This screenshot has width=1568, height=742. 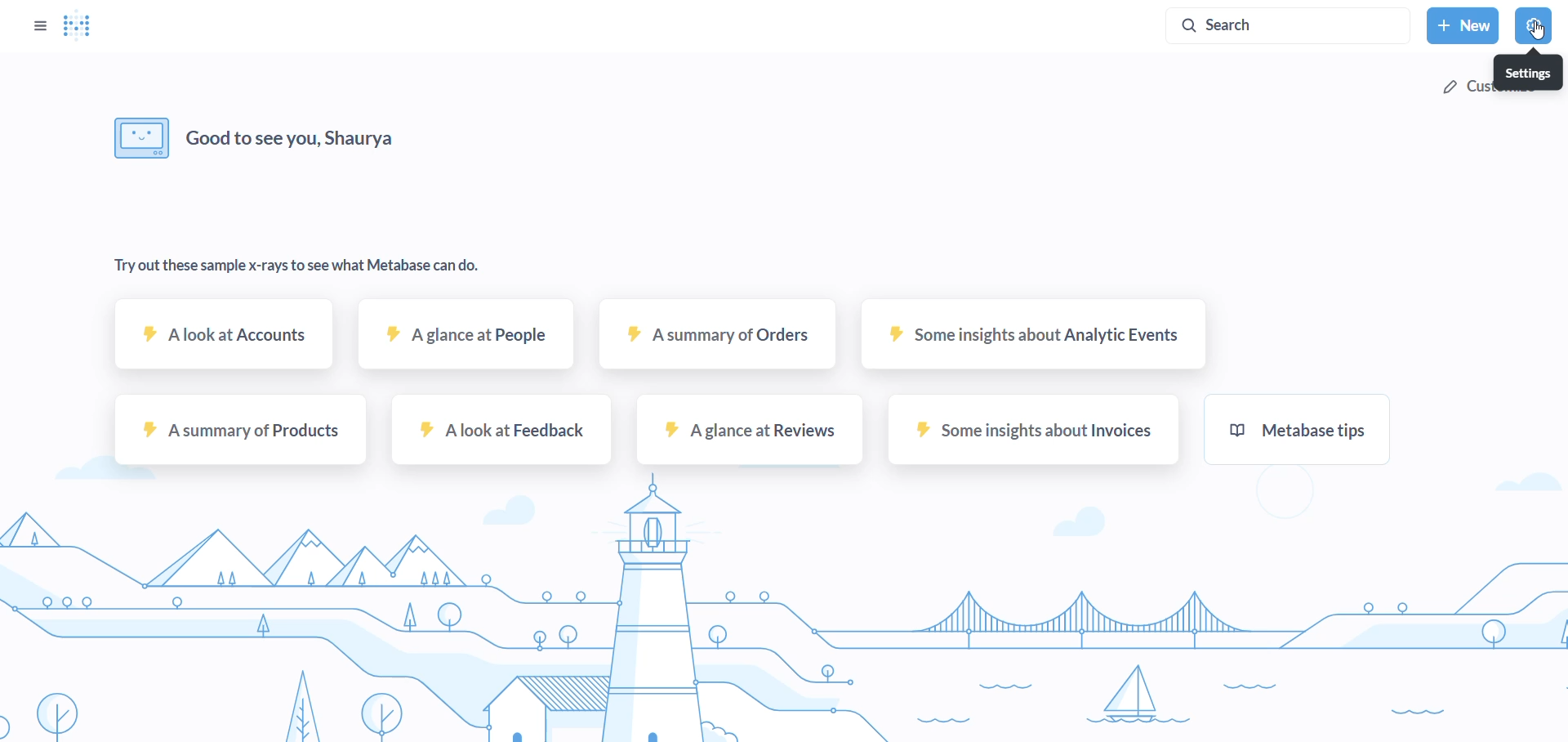 What do you see at coordinates (38, 24) in the screenshot?
I see `show sidebar` at bounding box center [38, 24].